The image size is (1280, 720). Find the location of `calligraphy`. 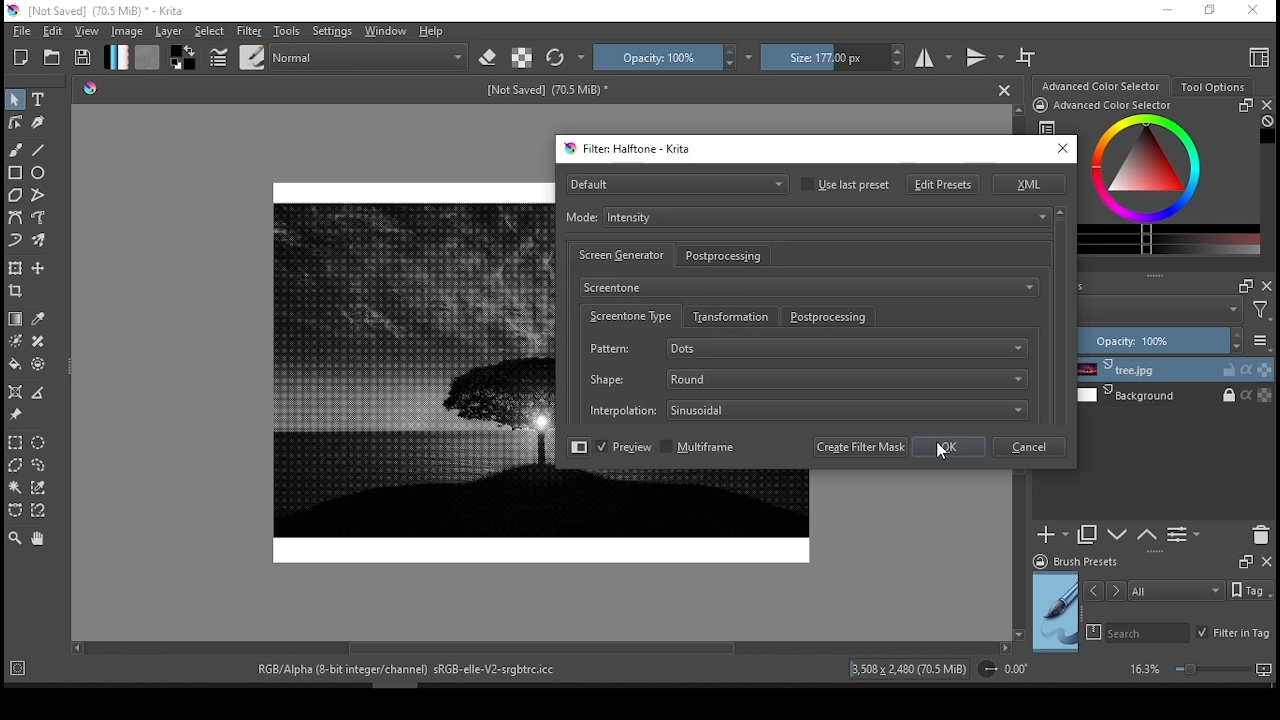

calligraphy is located at coordinates (38, 121).